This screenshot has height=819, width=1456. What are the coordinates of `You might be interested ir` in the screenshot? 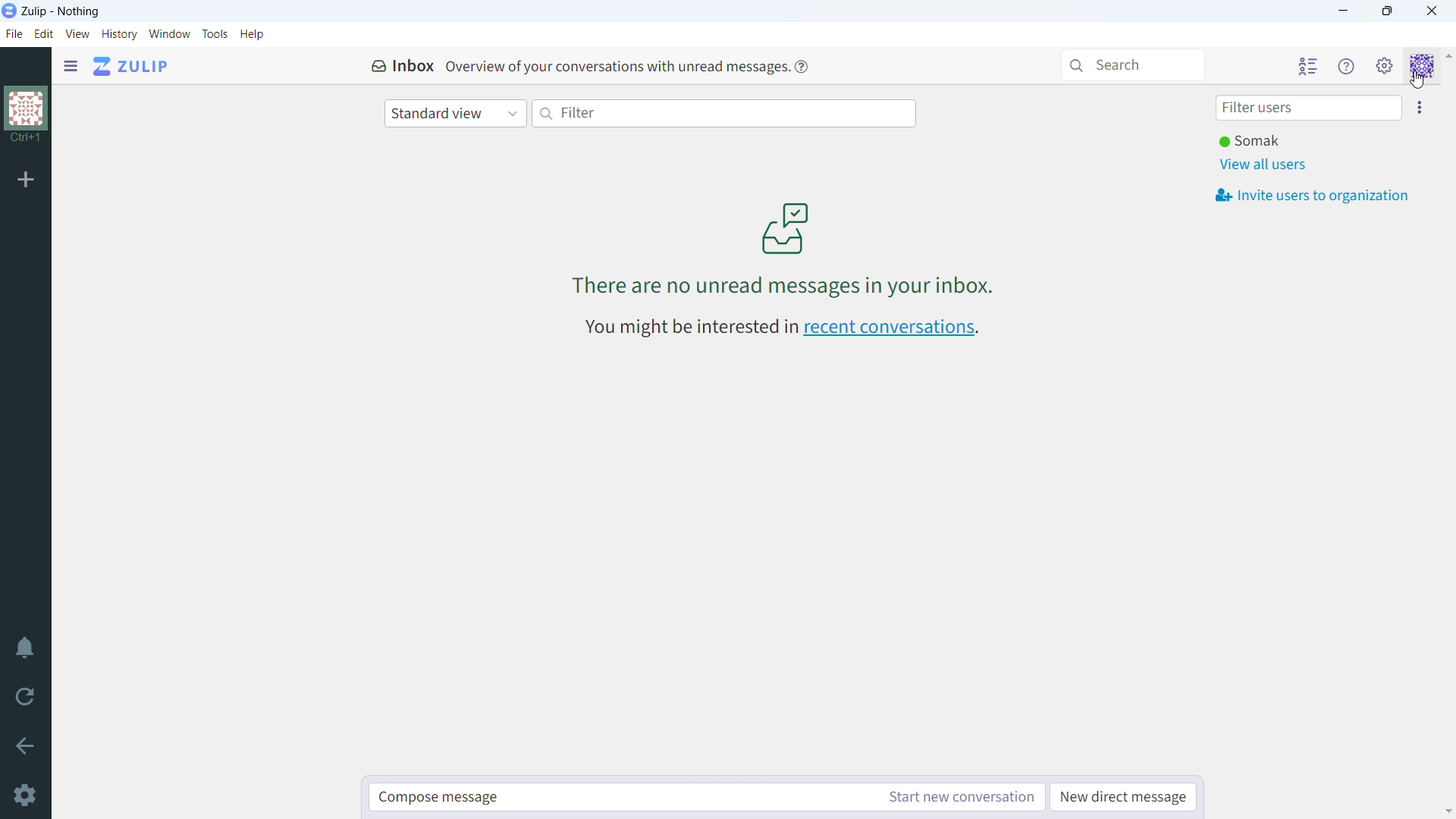 It's located at (689, 326).